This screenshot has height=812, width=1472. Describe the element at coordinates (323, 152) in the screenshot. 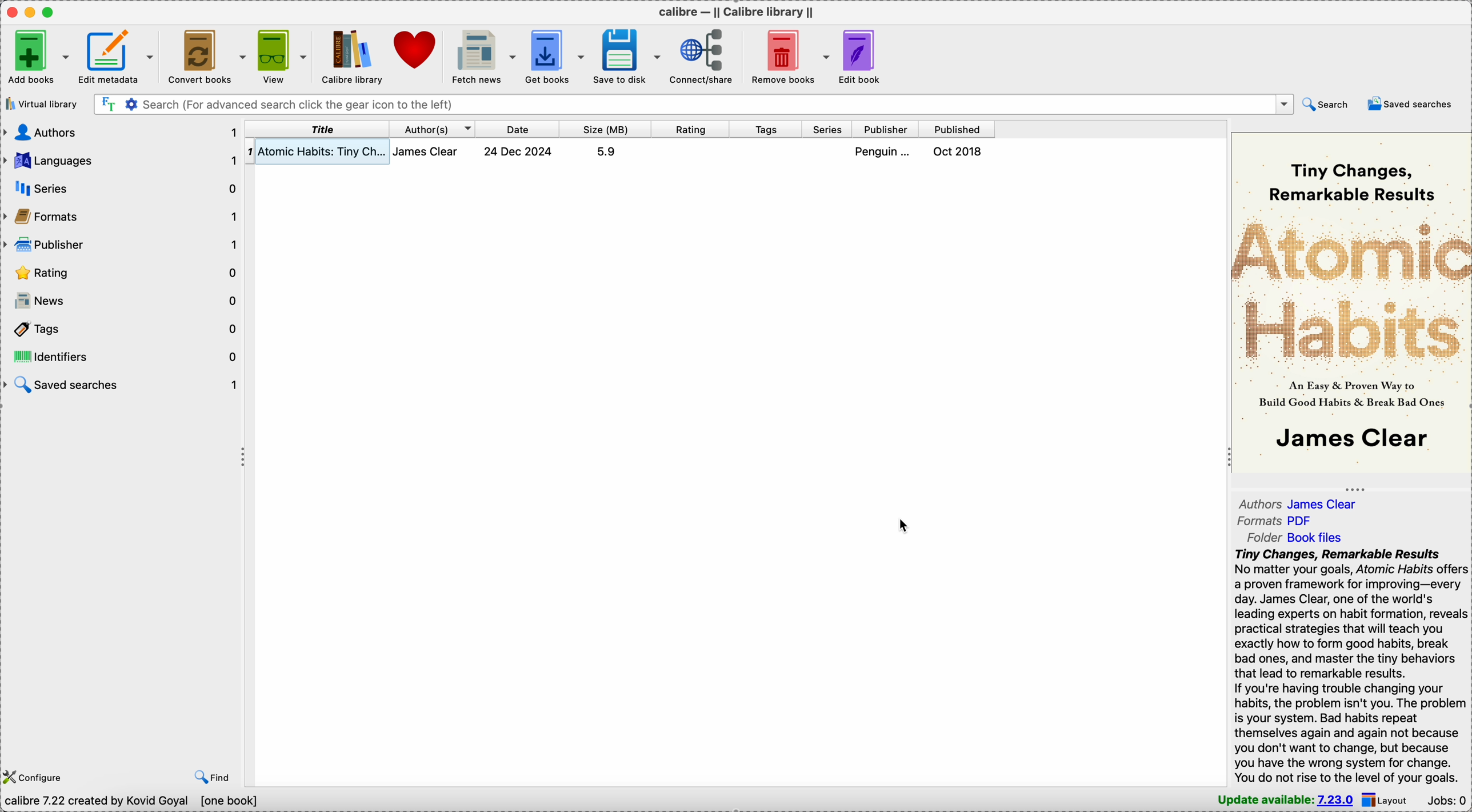

I see `atomic habits: Tiny changes, remarkable results` at that location.